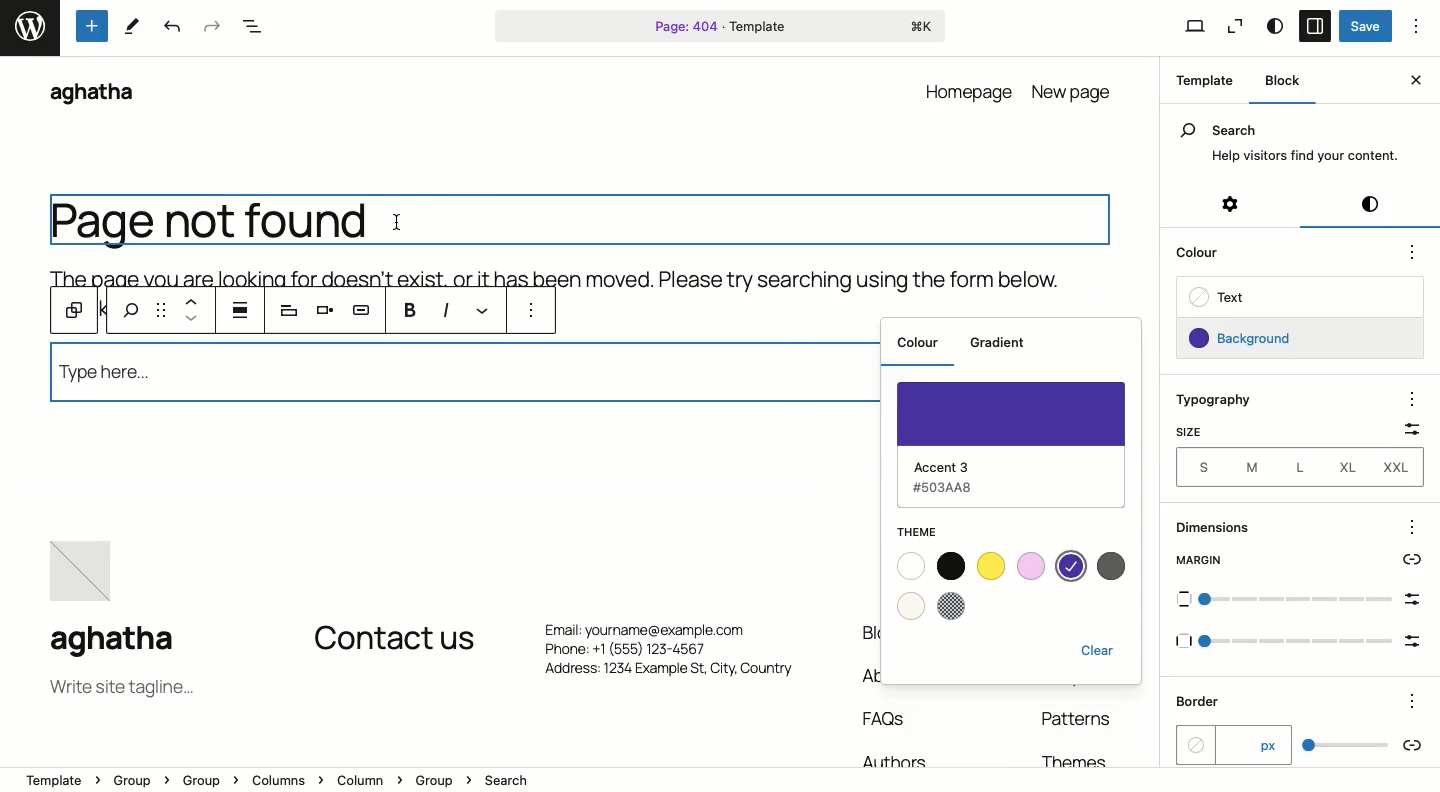 This screenshot has width=1440, height=792. What do you see at coordinates (209, 223) in the screenshot?
I see `Page not found` at bounding box center [209, 223].